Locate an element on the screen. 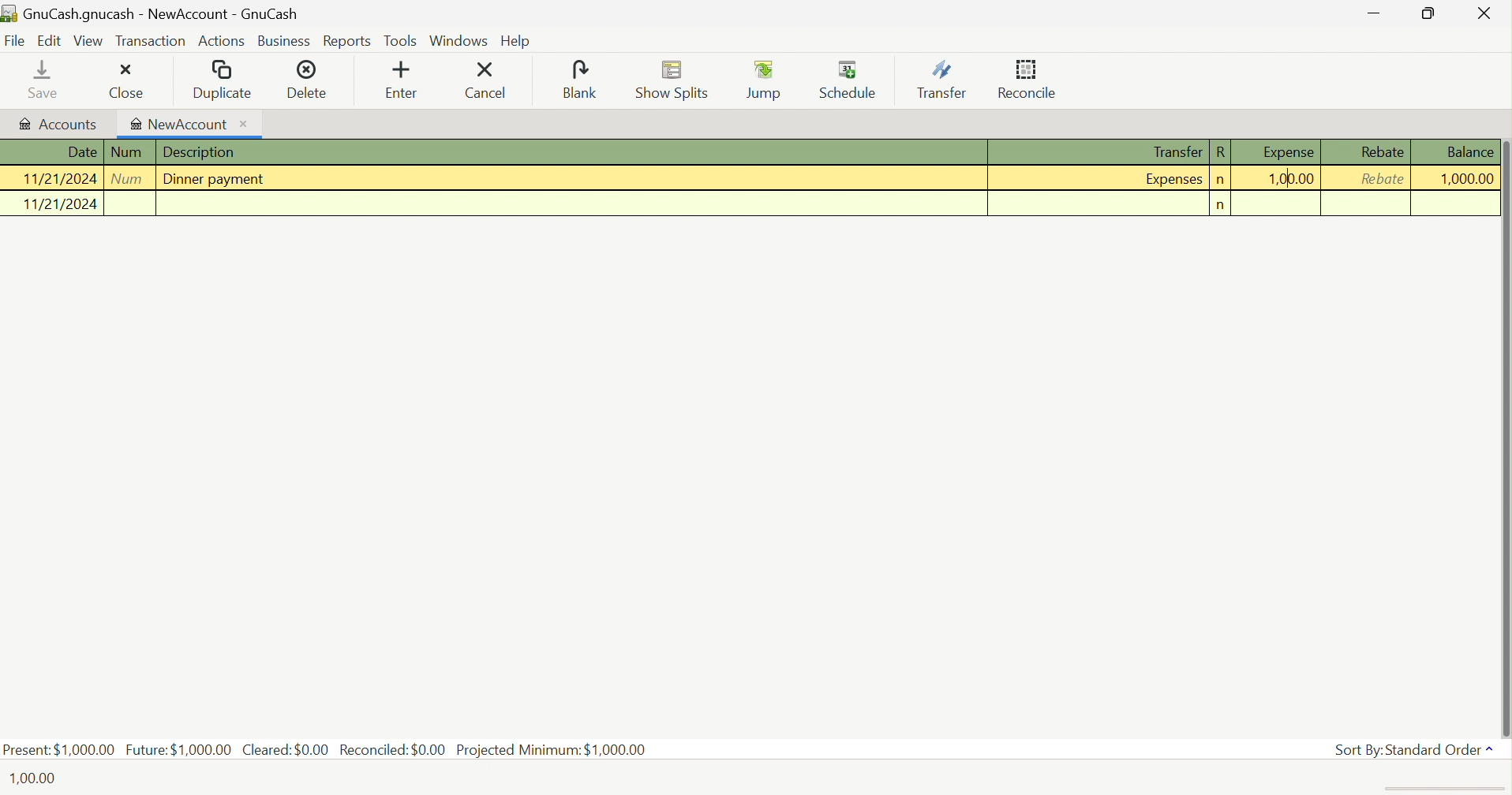  Num is located at coordinates (130, 179).